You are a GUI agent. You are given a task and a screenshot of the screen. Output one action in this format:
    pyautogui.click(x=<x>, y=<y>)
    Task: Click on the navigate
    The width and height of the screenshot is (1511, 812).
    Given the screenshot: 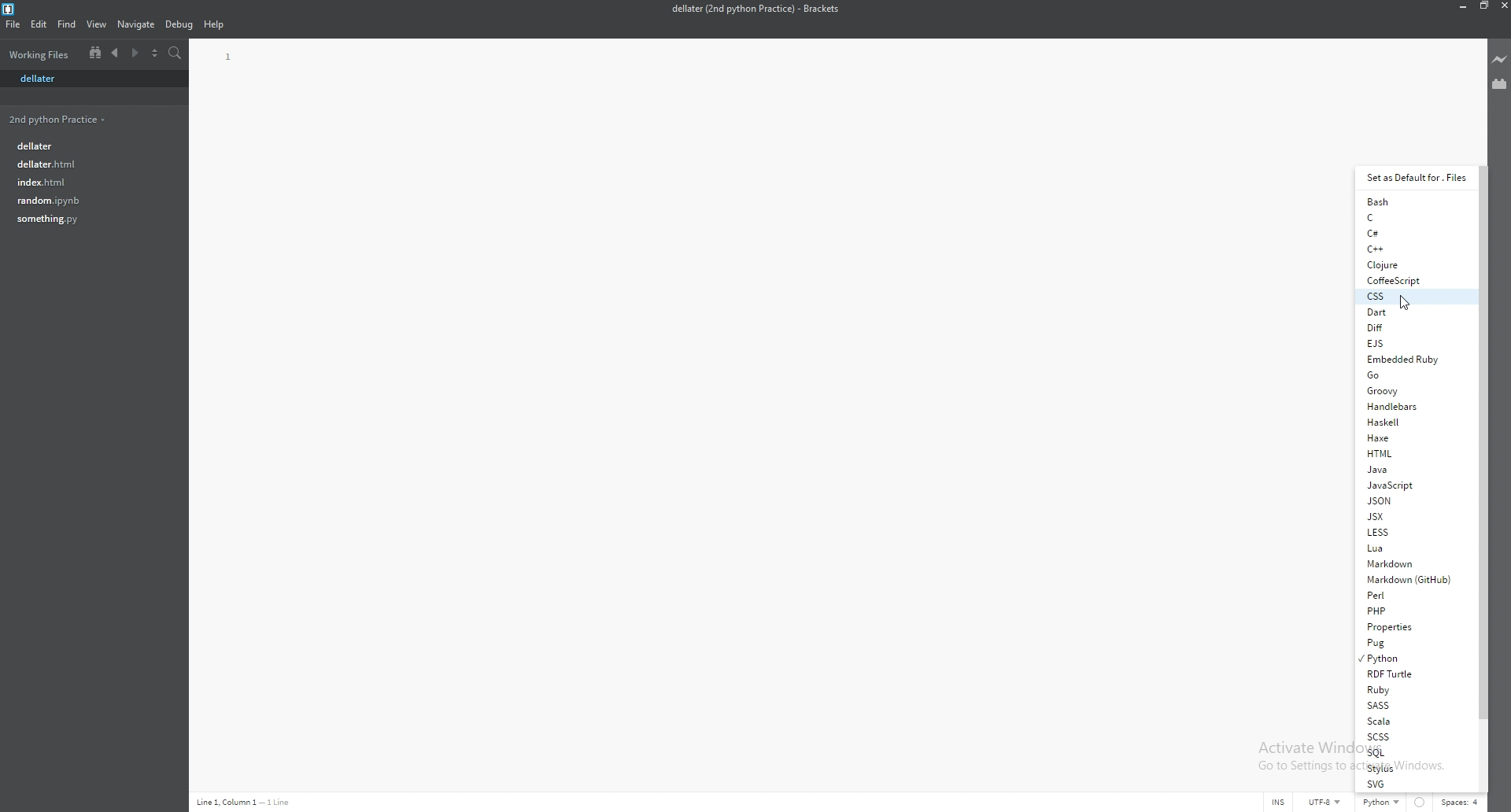 What is the action you would take?
    pyautogui.click(x=136, y=25)
    